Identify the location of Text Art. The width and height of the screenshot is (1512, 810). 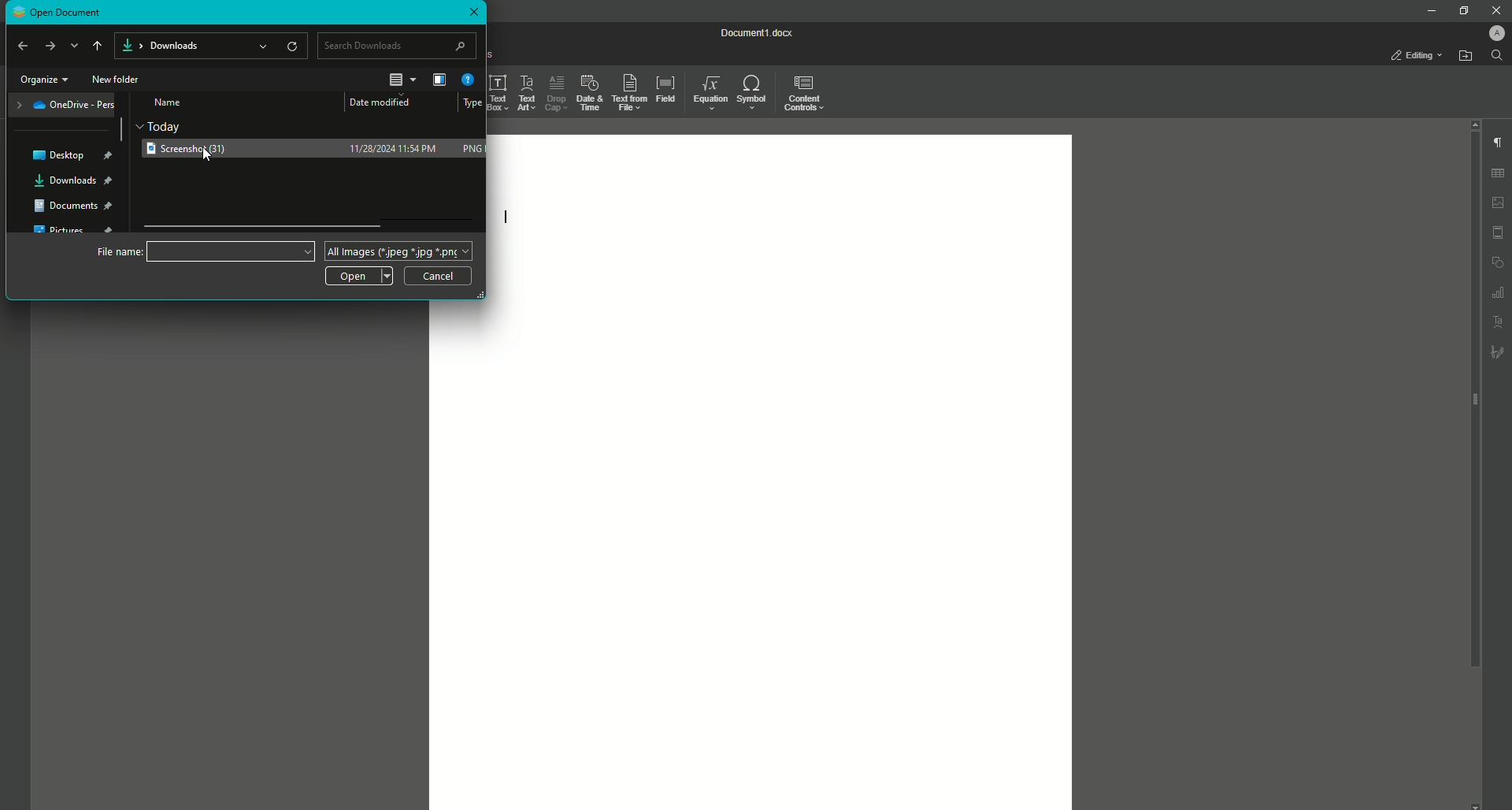
(528, 95).